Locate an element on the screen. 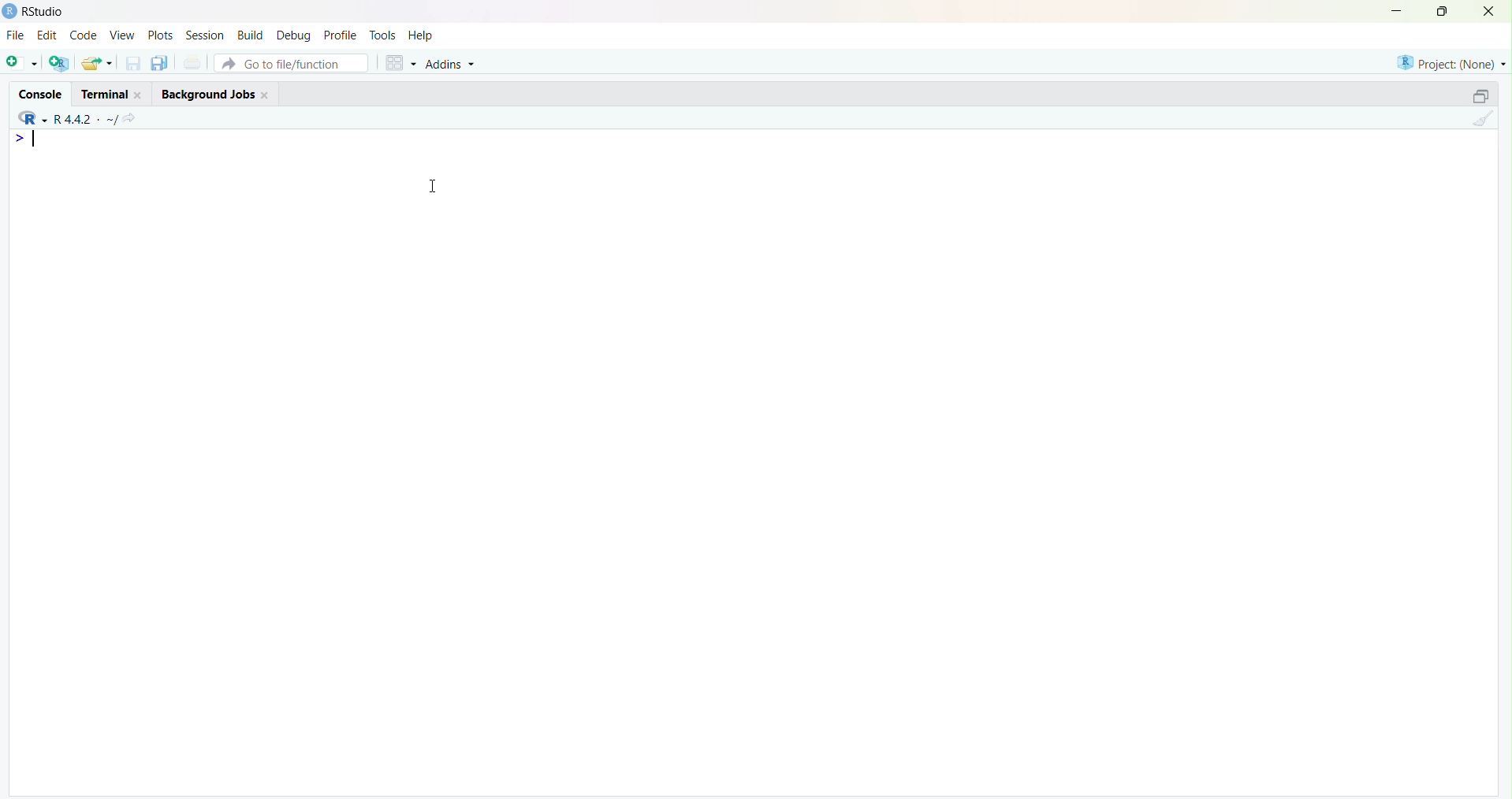 This screenshot has width=1512, height=799. View is located at coordinates (121, 35).